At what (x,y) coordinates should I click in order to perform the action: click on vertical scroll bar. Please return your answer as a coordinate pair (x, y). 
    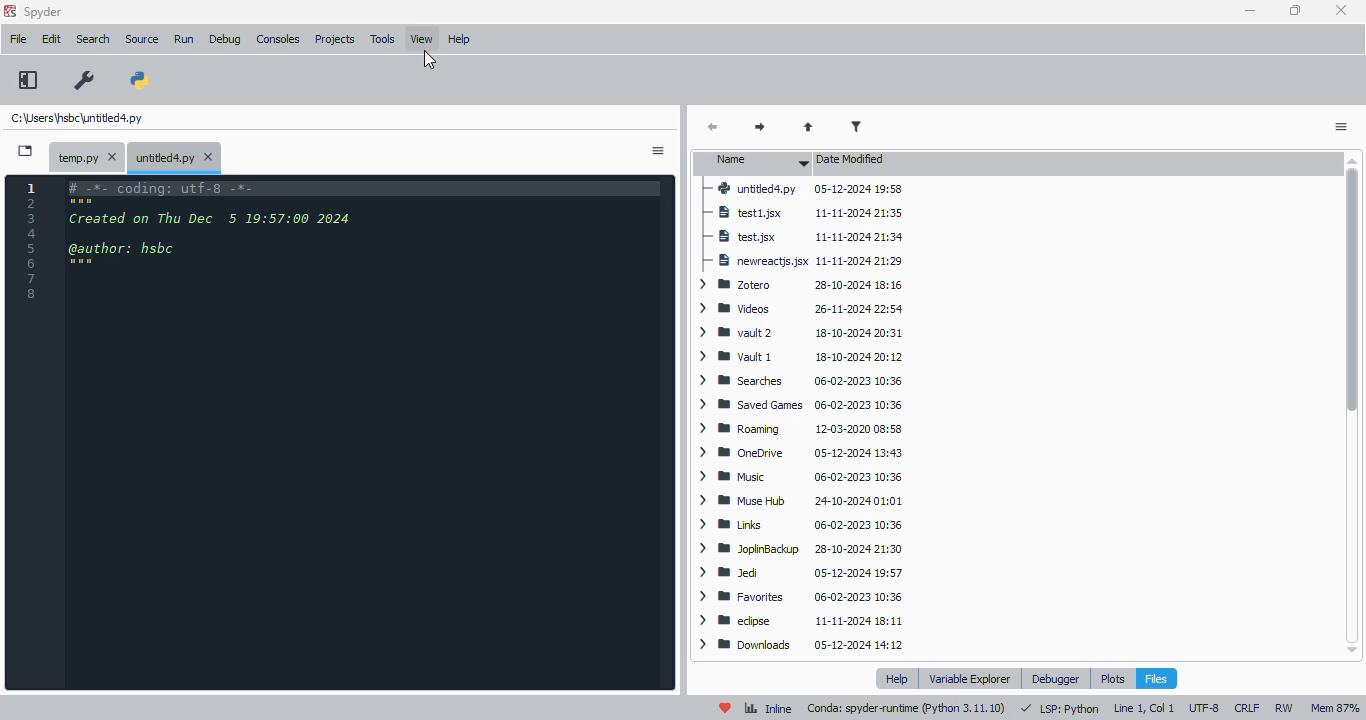
    Looking at the image, I should click on (1355, 404).